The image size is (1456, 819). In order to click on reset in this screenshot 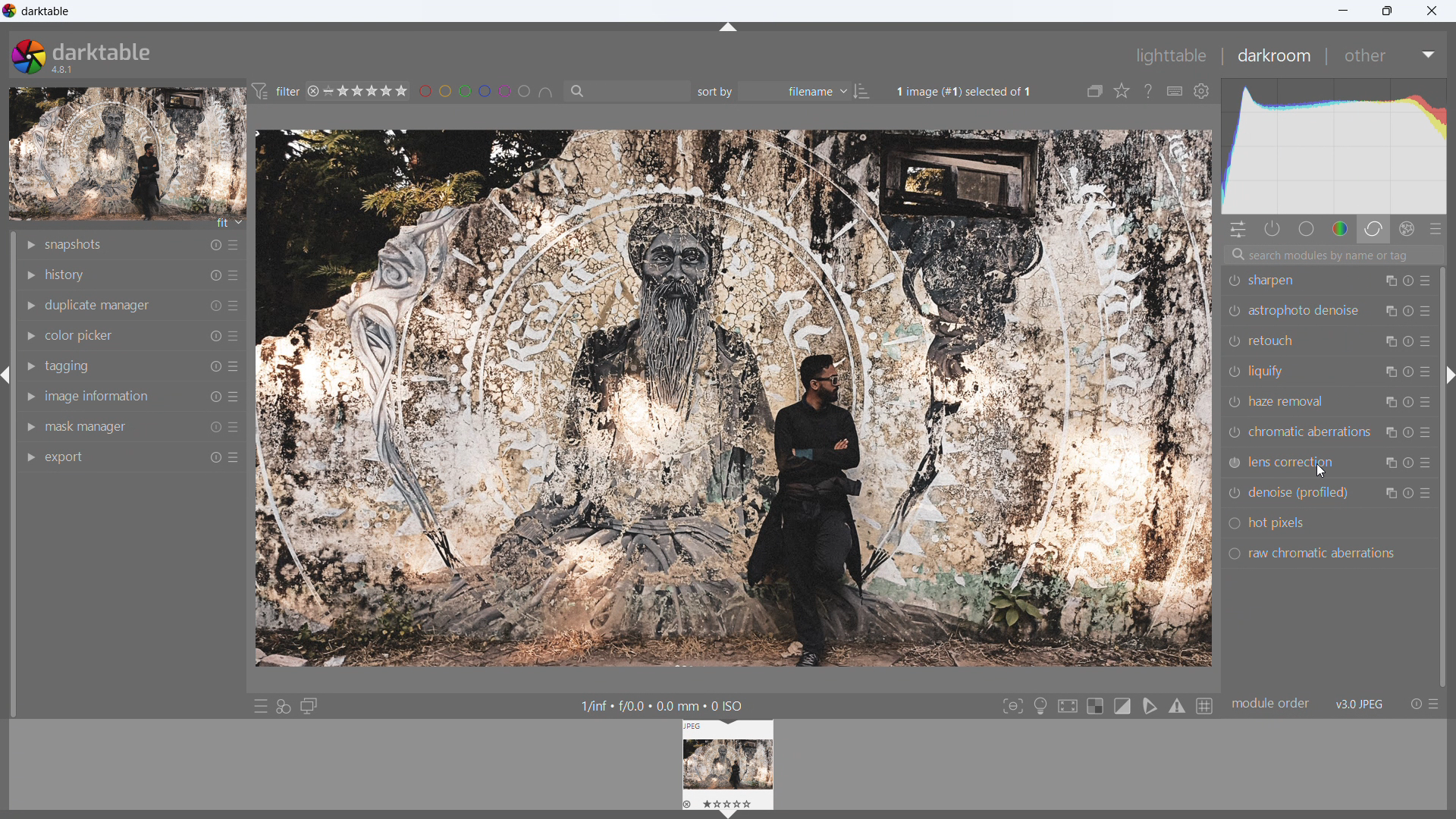, I will do `click(210, 336)`.